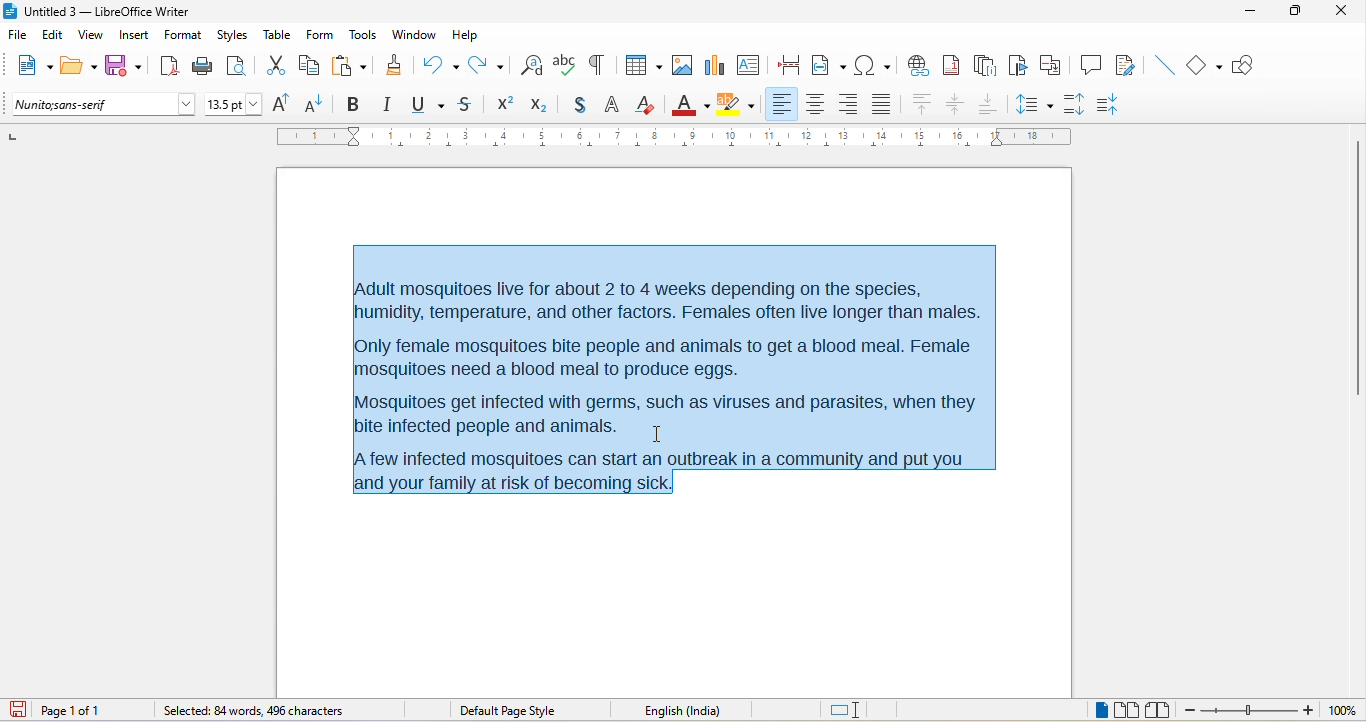 This screenshot has height=722, width=1366. Describe the element at coordinates (386, 105) in the screenshot. I see `italic` at that location.